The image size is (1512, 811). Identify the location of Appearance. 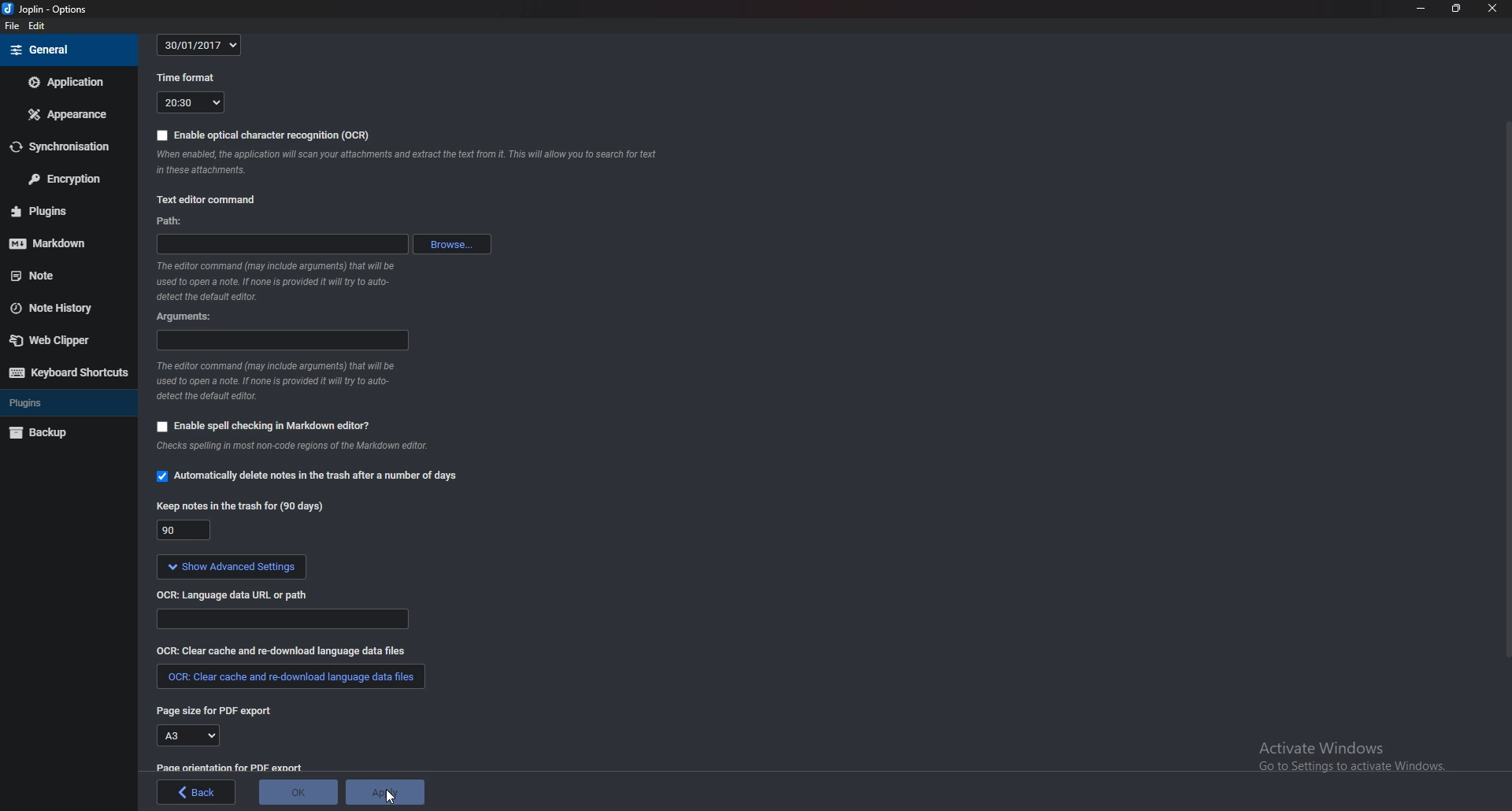
(66, 113).